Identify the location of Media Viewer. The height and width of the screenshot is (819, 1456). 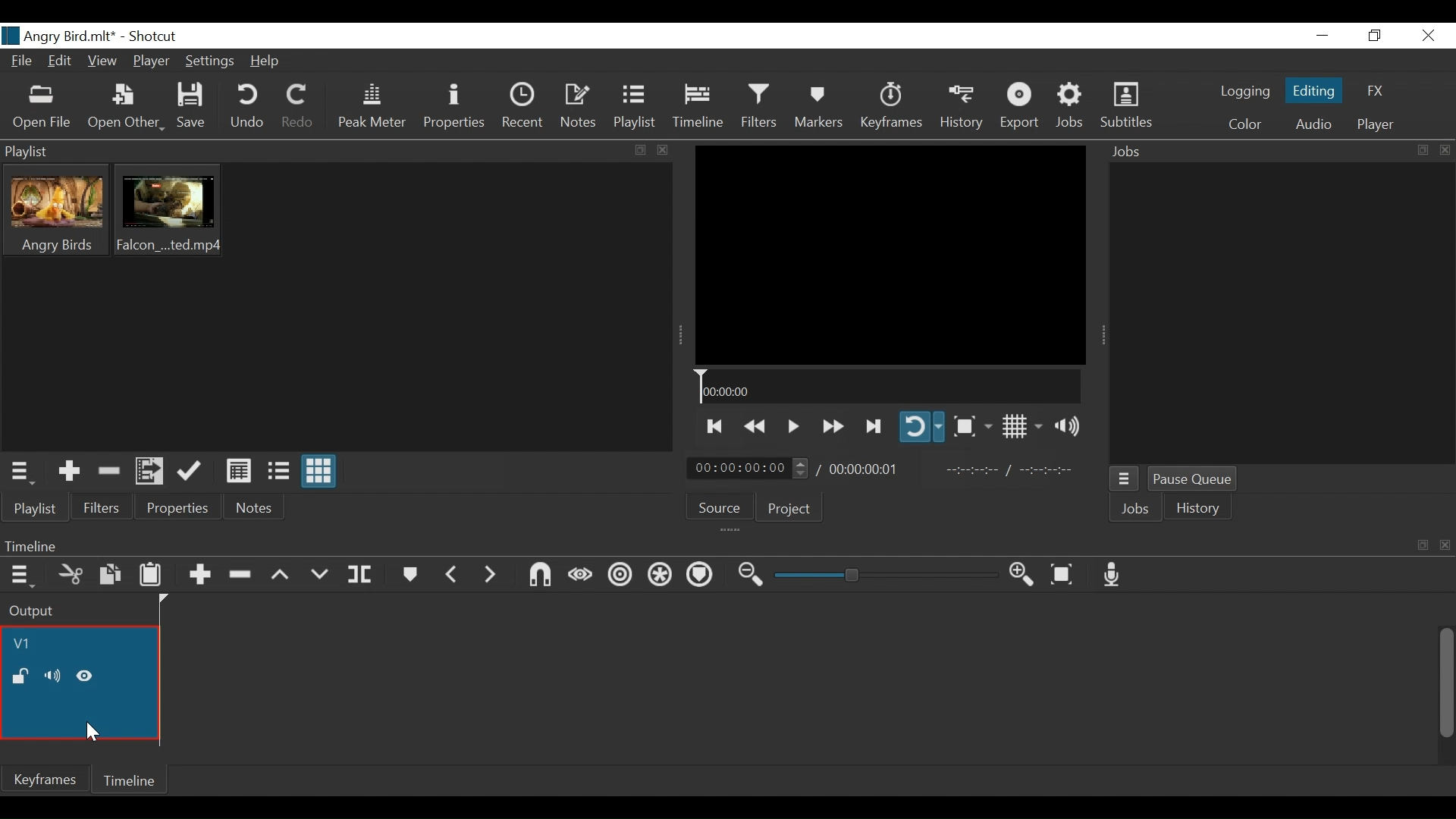
(890, 255).